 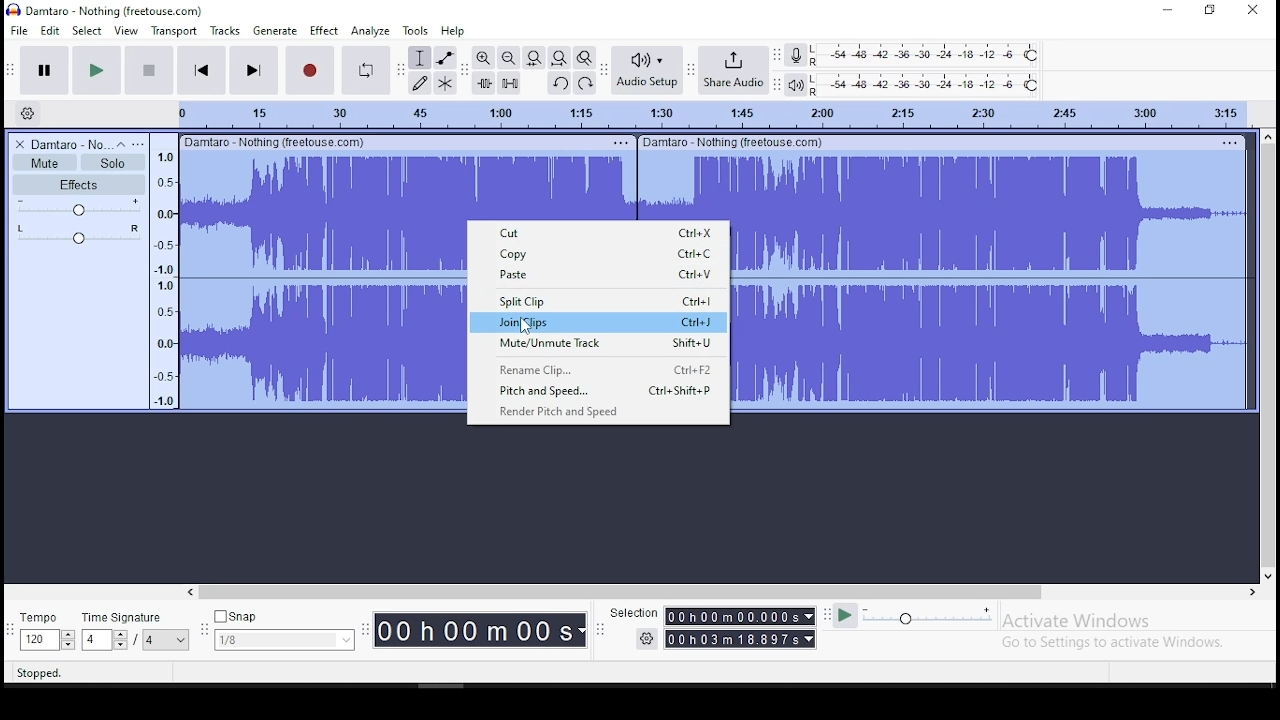 I want to click on meter, so click(x=163, y=277).